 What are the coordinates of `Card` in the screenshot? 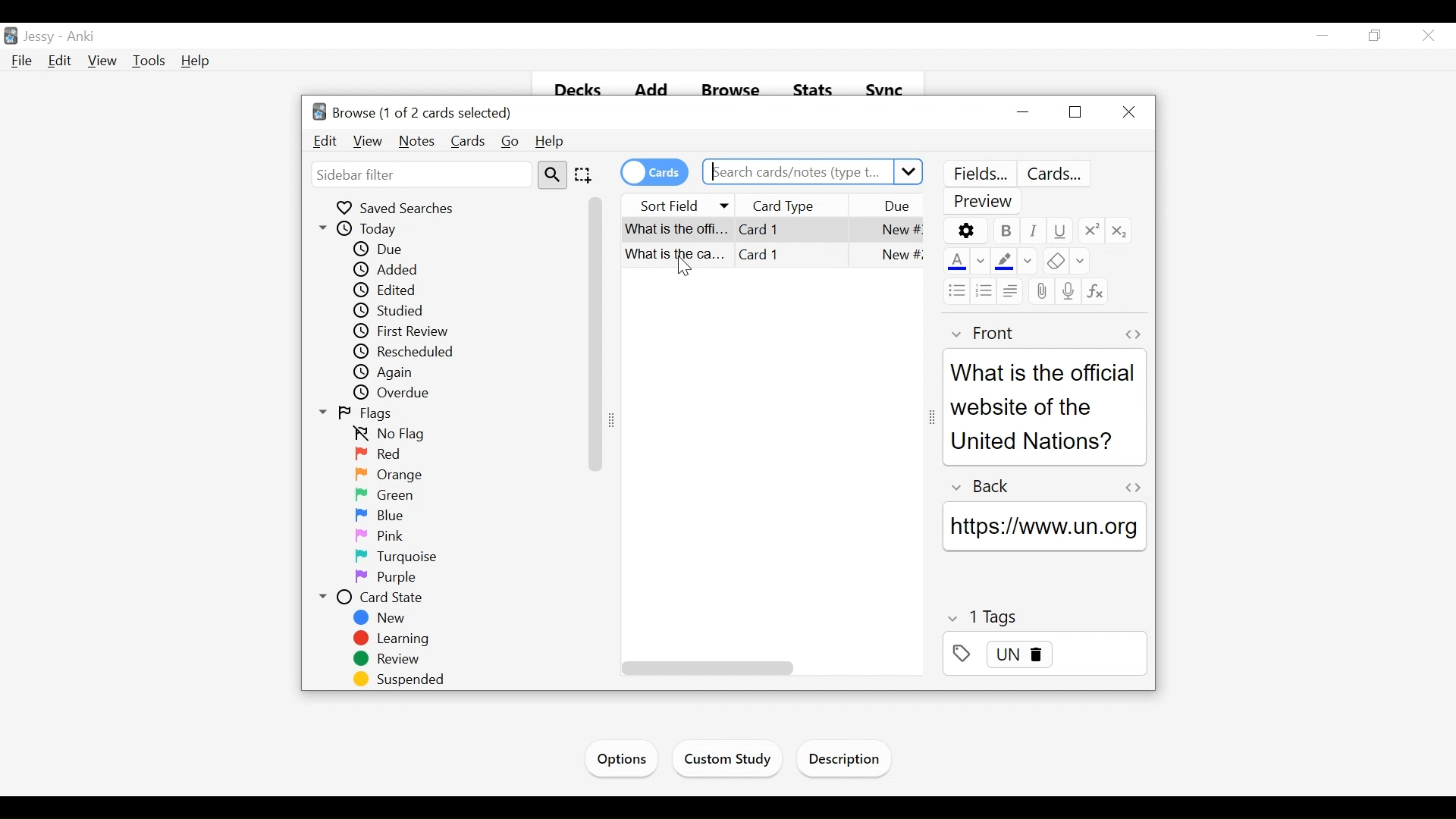 It's located at (765, 228).